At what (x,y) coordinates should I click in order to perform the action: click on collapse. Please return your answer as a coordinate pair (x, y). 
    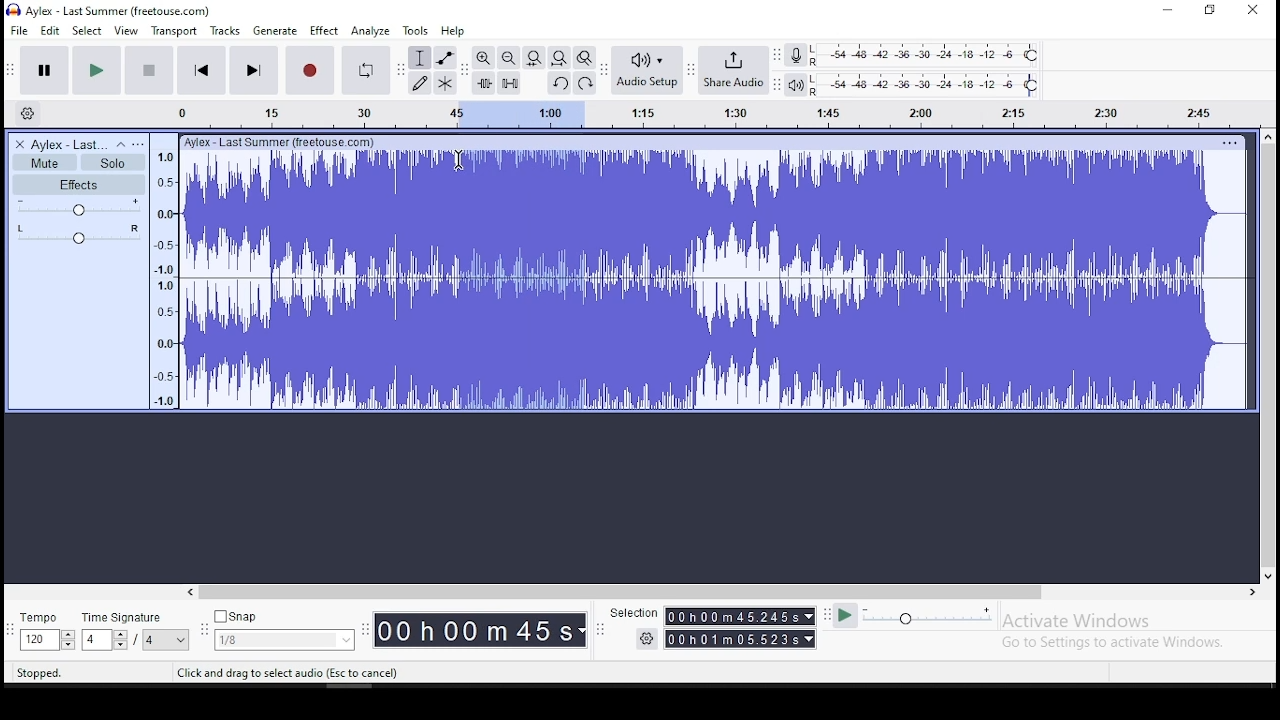
    Looking at the image, I should click on (120, 145).